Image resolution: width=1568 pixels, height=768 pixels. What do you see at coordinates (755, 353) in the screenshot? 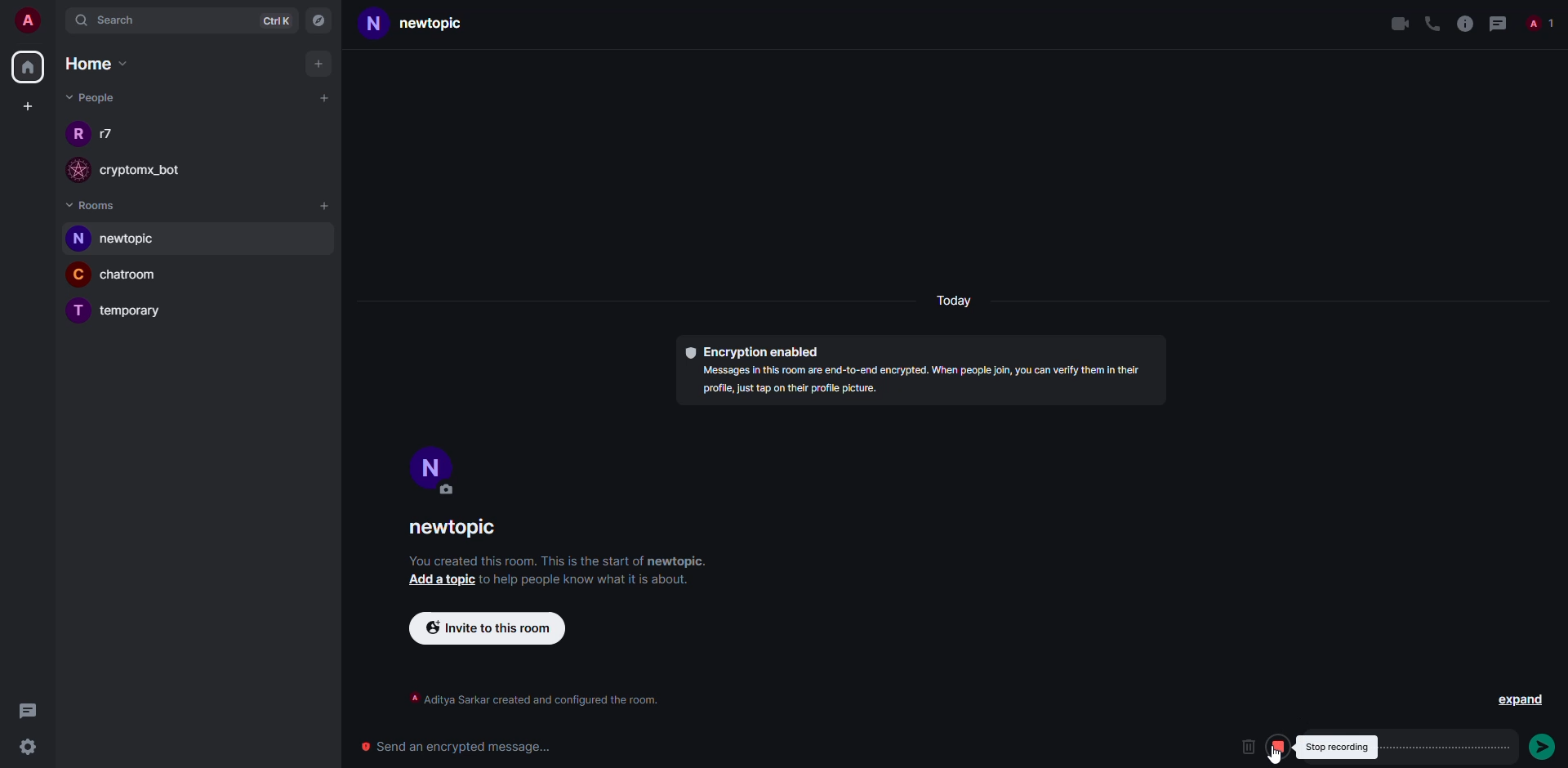
I see `encryption enabled` at bounding box center [755, 353].